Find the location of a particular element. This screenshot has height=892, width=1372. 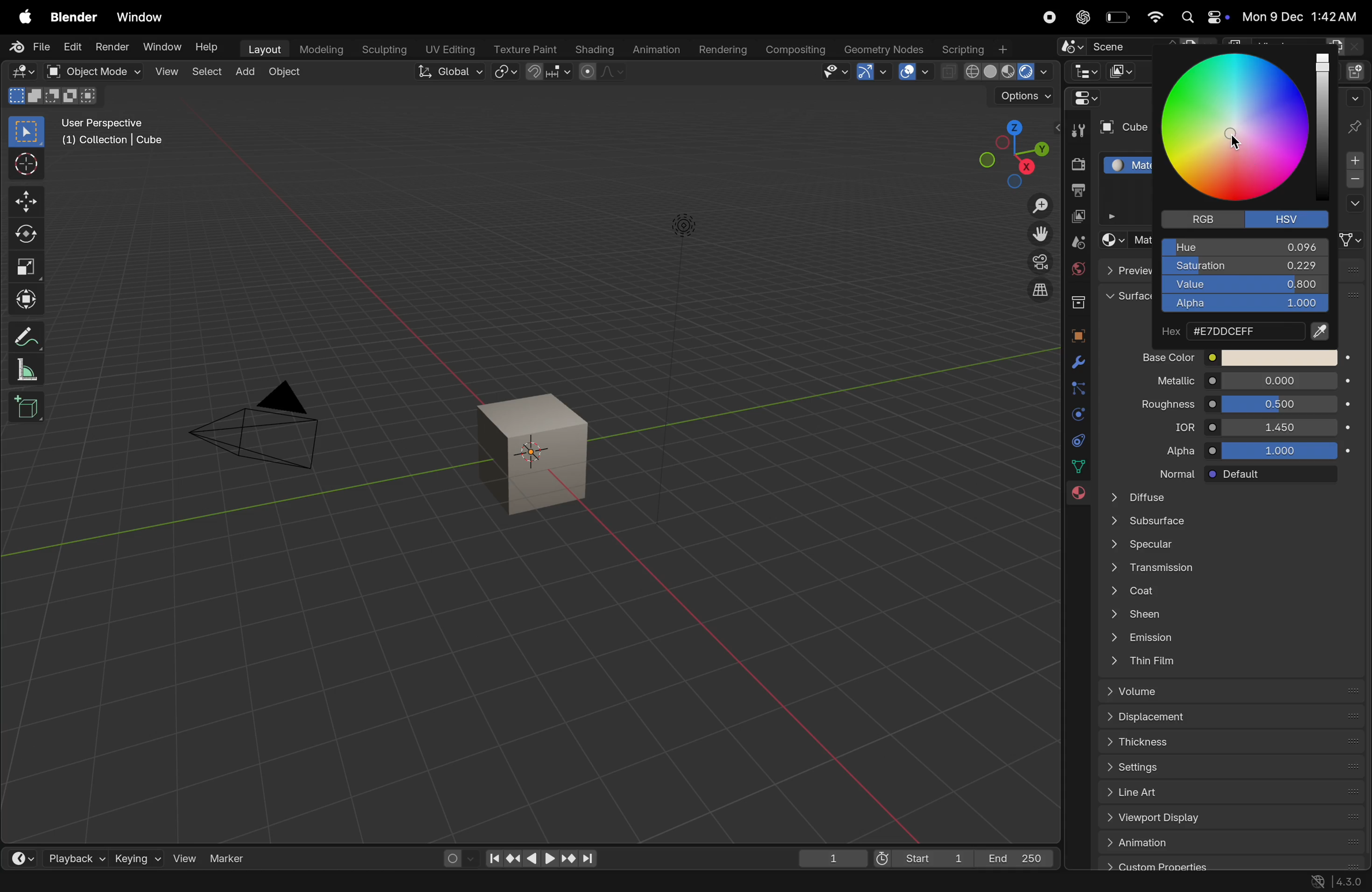

pan view is located at coordinates (152, 881).